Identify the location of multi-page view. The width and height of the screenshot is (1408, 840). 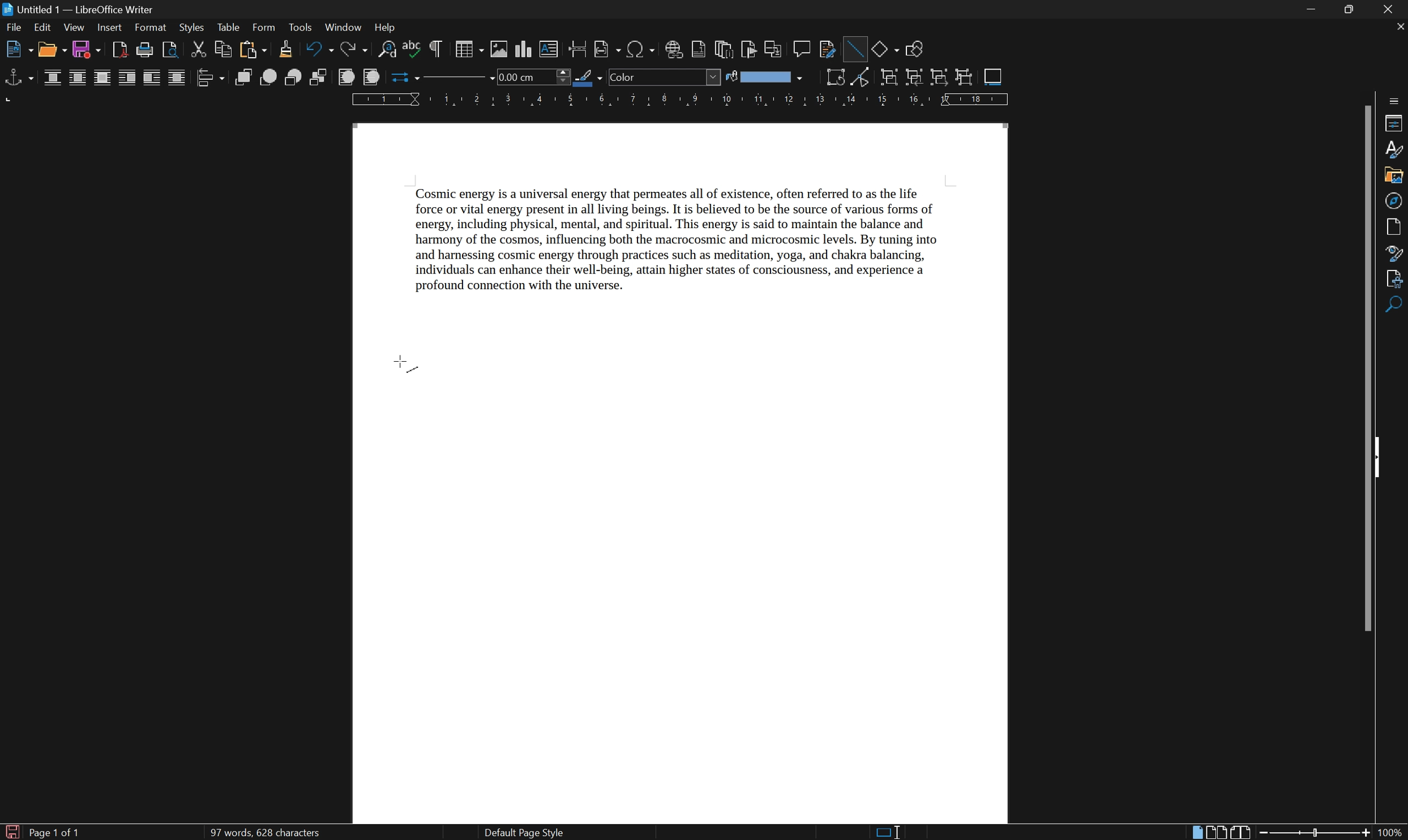
(1218, 832).